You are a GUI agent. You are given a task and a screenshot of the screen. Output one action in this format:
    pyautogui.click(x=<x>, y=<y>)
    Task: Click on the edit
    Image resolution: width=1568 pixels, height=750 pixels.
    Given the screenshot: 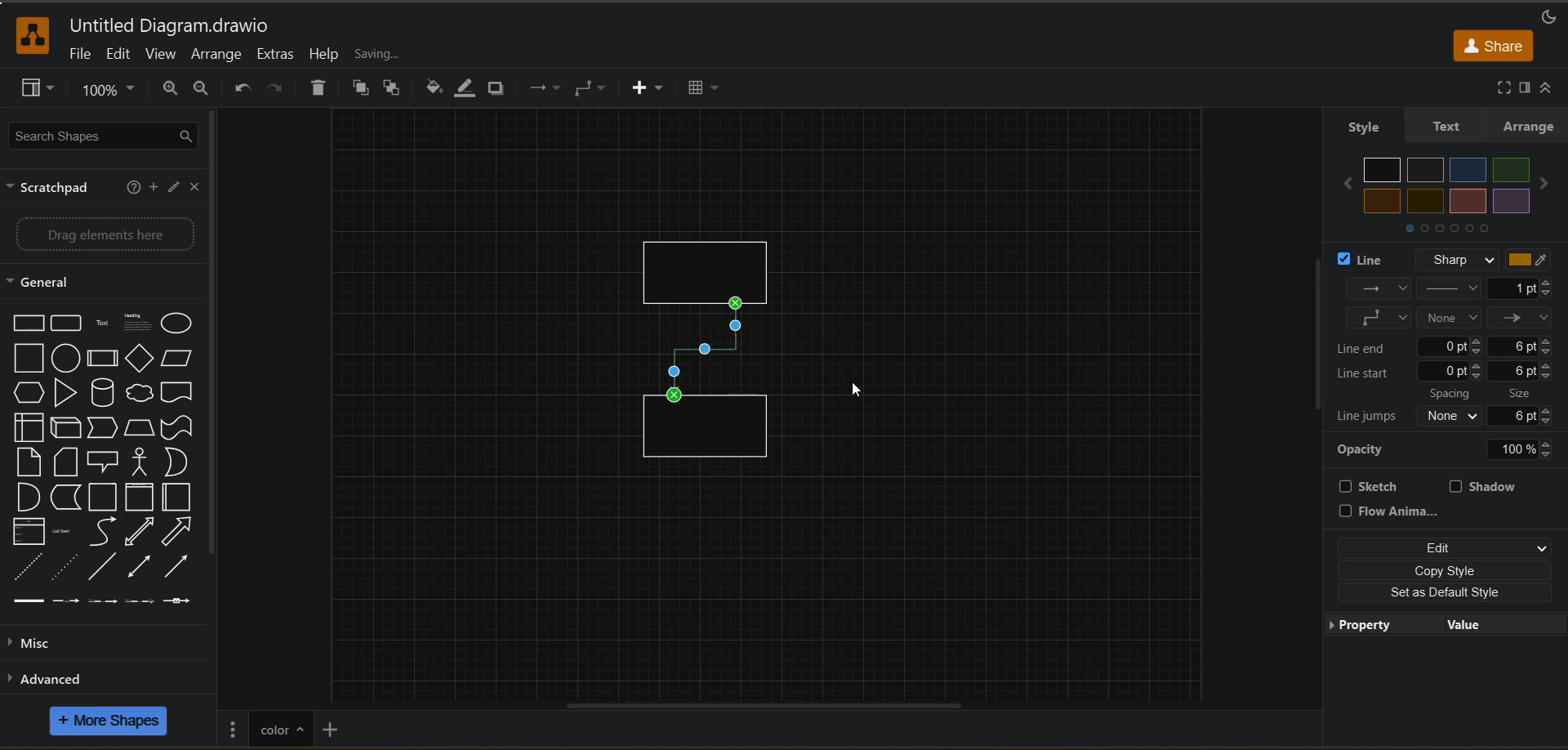 What is the action you would take?
    pyautogui.click(x=120, y=54)
    